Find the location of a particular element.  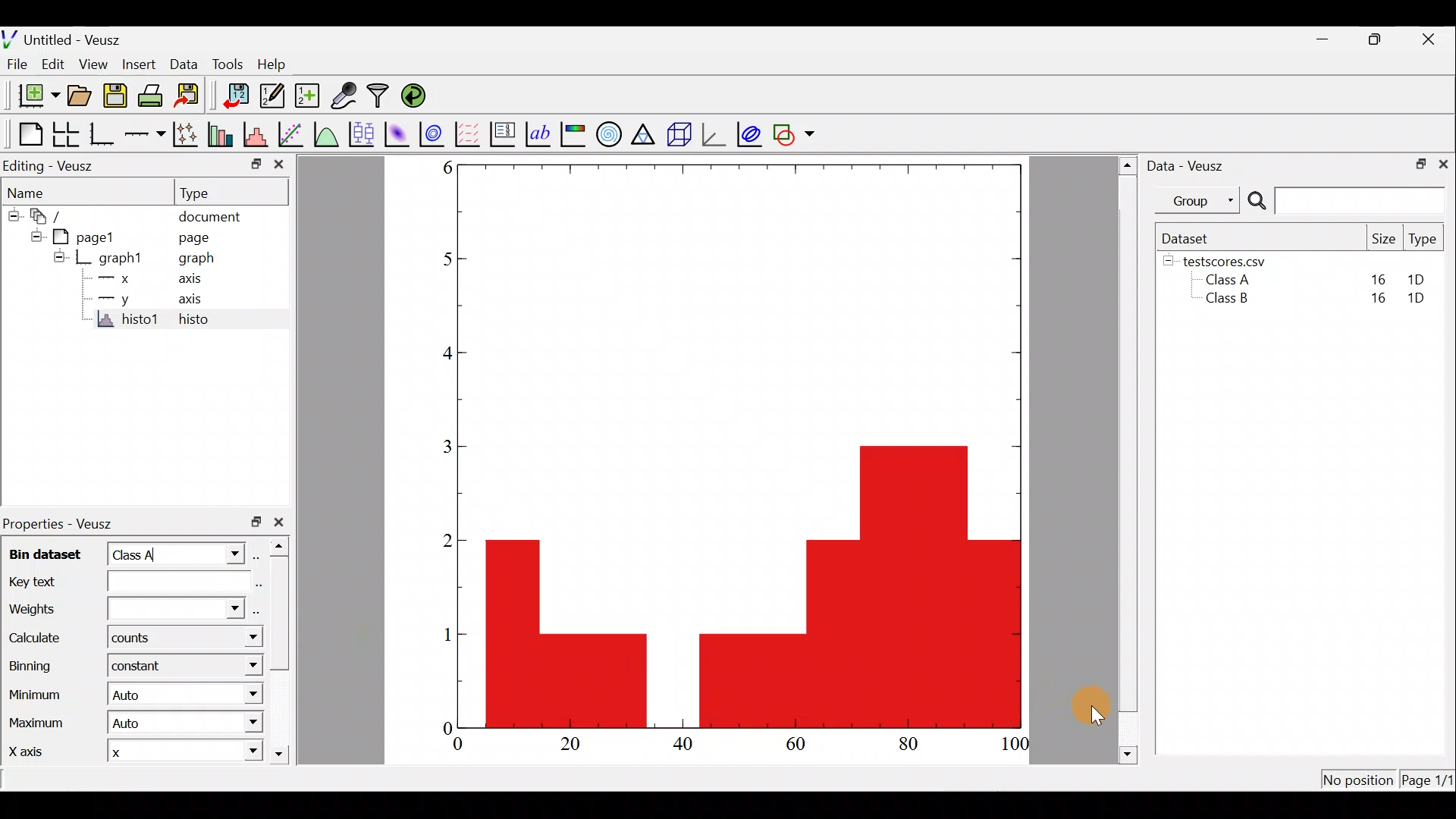

x is located at coordinates (126, 754).